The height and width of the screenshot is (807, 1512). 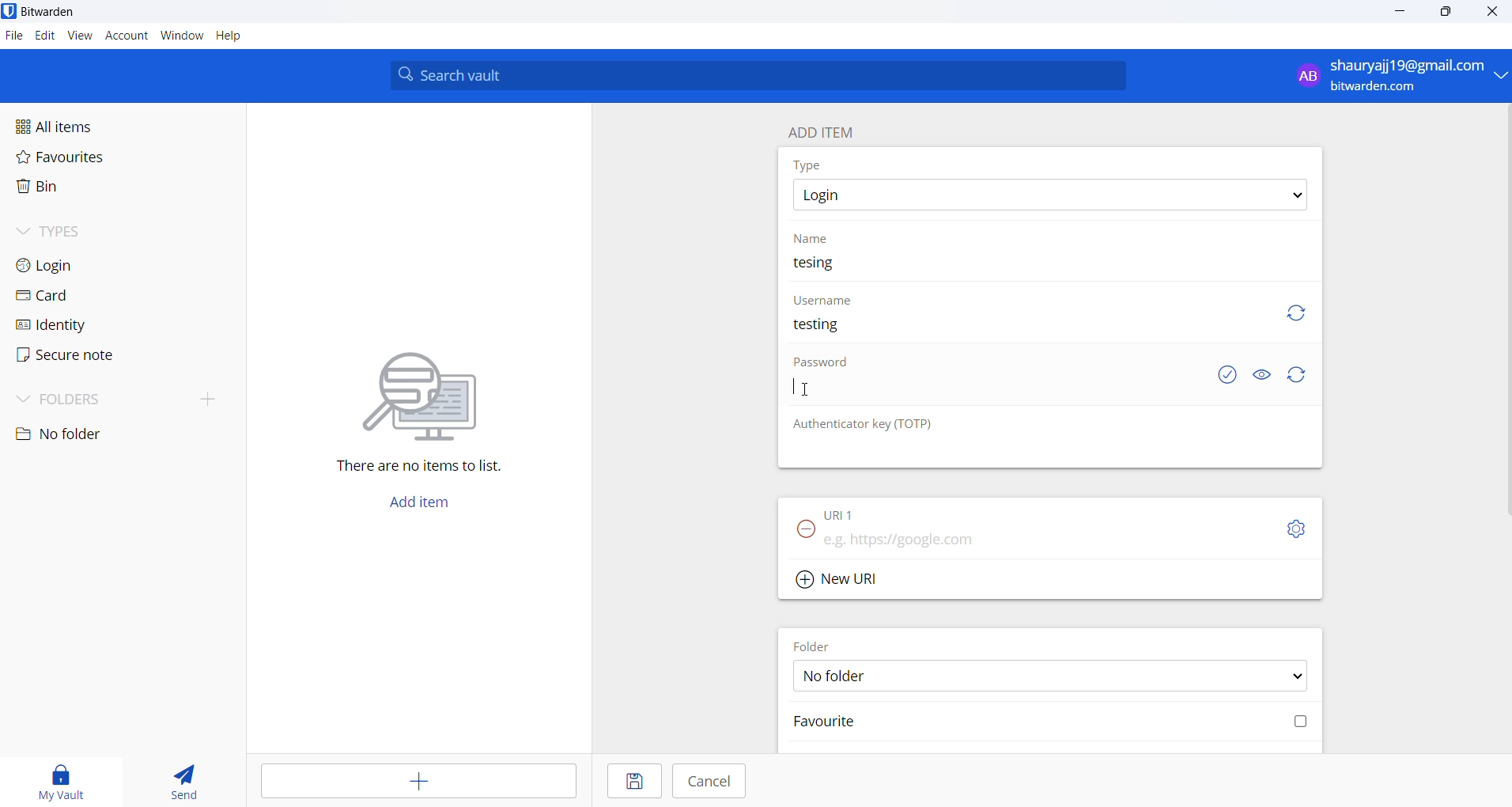 What do you see at coordinates (853, 511) in the screenshot?
I see `URL1` at bounding box center [853, 511].